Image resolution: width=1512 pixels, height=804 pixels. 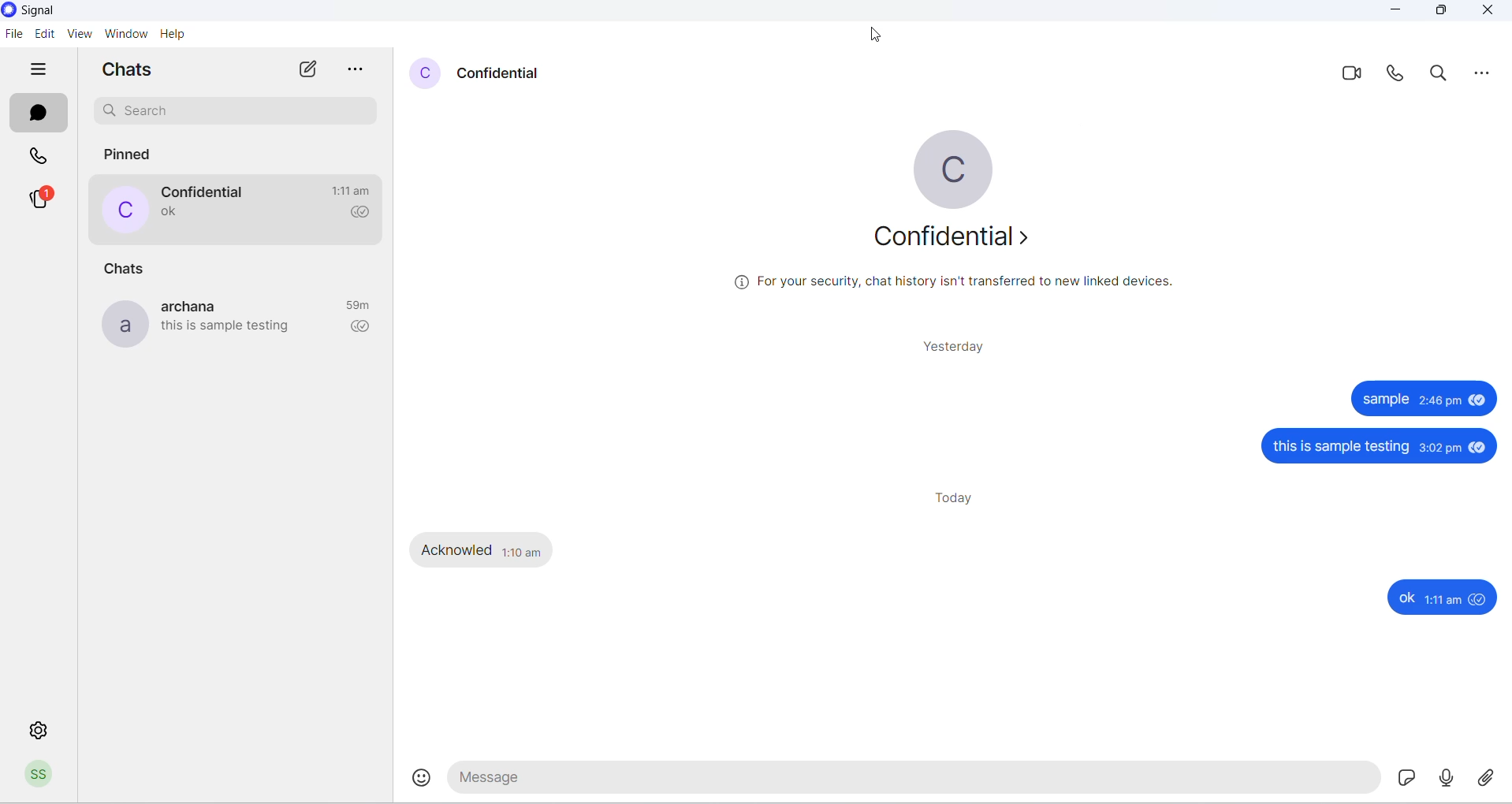 What do you see at coordinates (357, 71) in the screenshot?
I see `options` at bounding box center [357, 71].